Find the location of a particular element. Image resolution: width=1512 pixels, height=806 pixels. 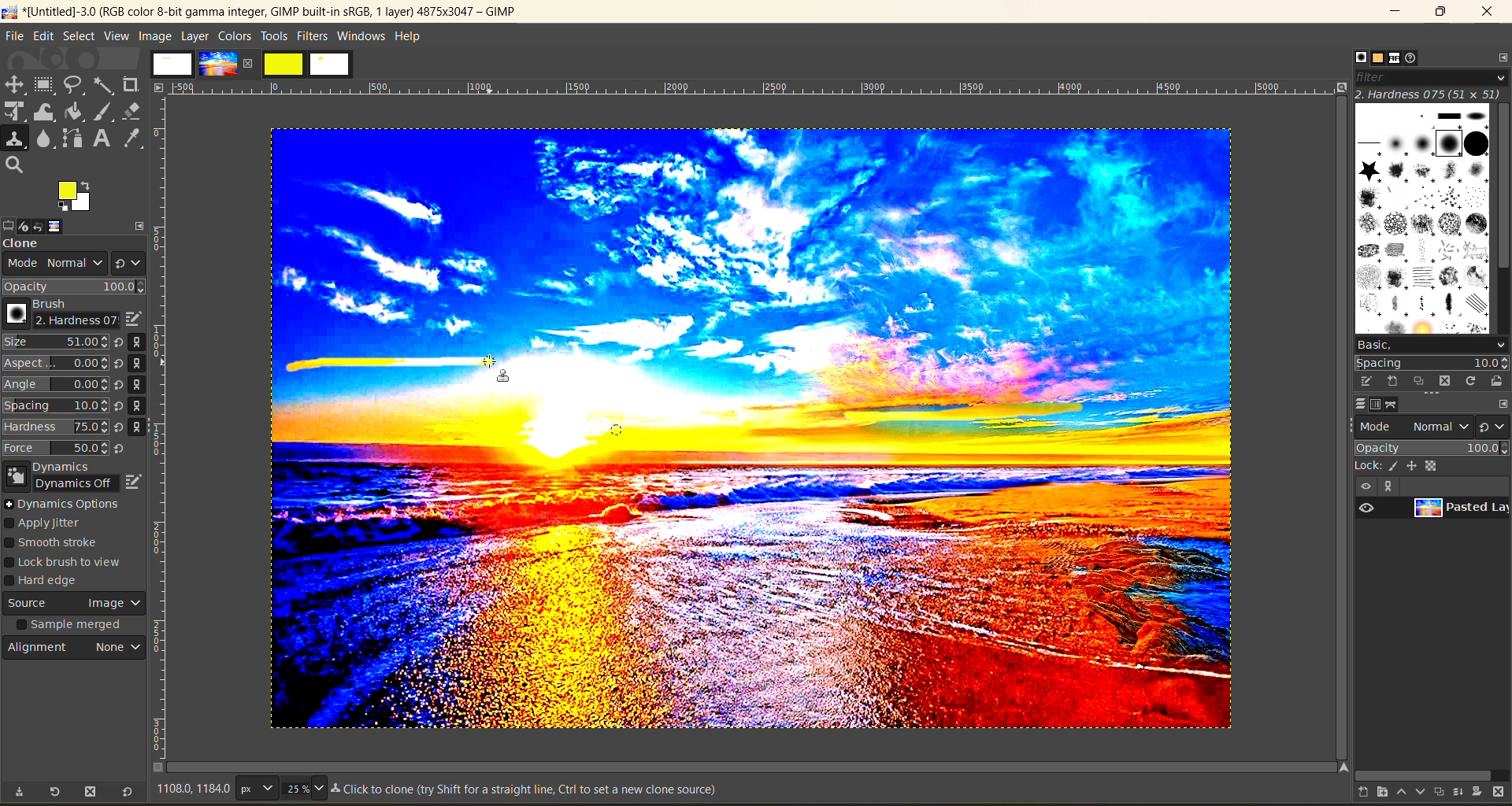

Search is located at coordinates (15, 165).